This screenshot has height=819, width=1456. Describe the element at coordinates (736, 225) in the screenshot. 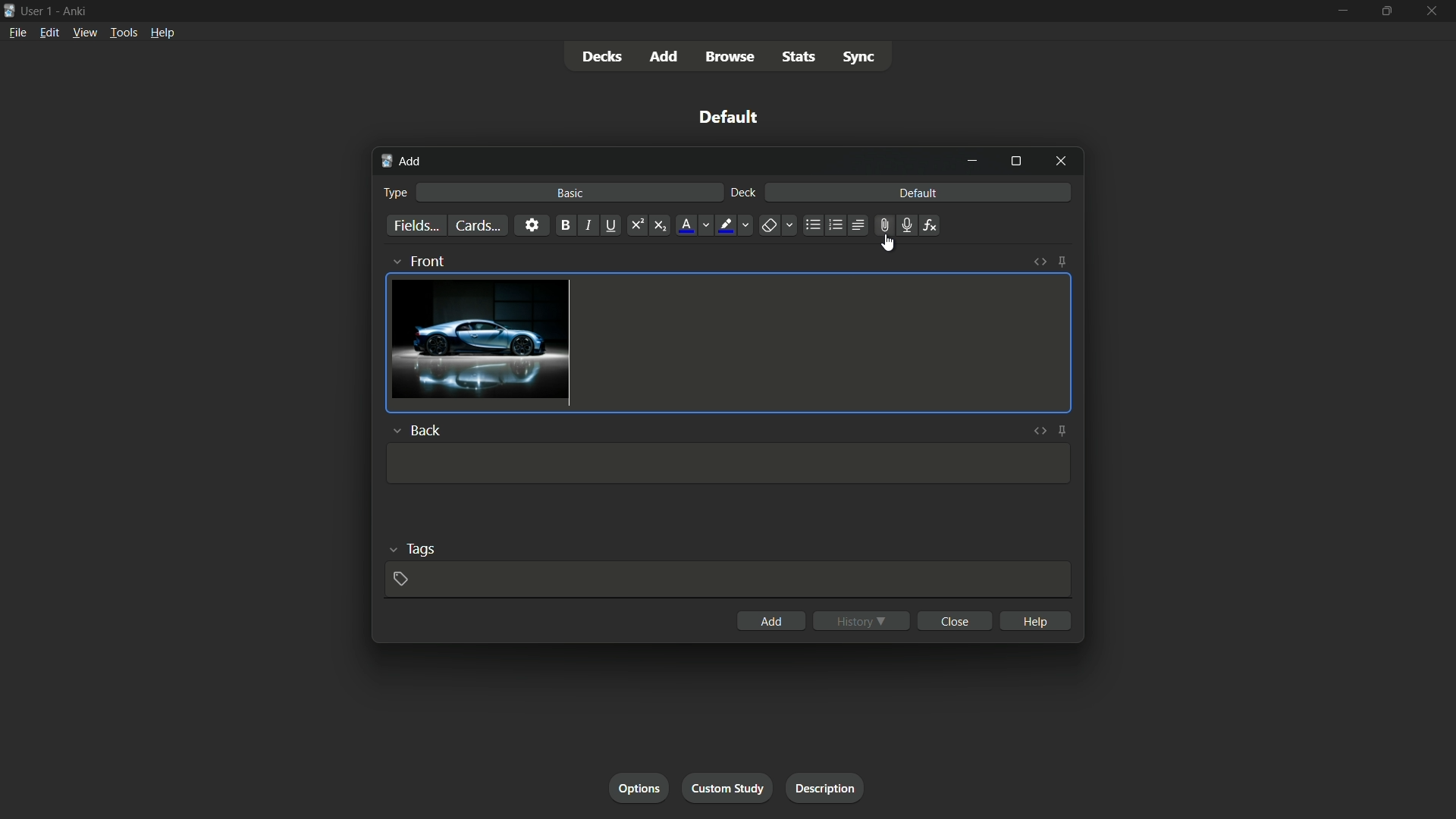

I see `text highlight` at that location.